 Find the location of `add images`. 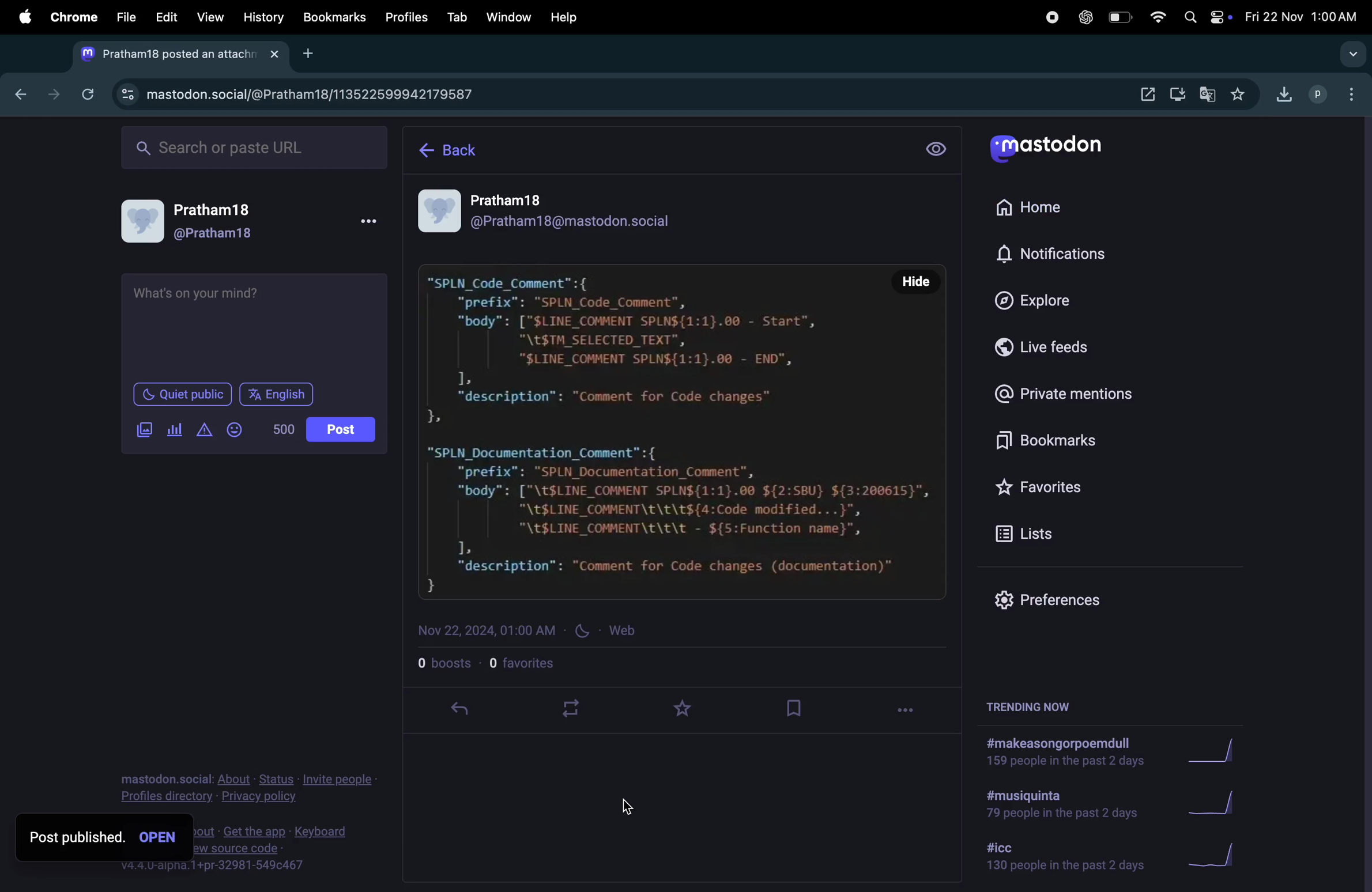

add images is located at coordinates (139, 432).